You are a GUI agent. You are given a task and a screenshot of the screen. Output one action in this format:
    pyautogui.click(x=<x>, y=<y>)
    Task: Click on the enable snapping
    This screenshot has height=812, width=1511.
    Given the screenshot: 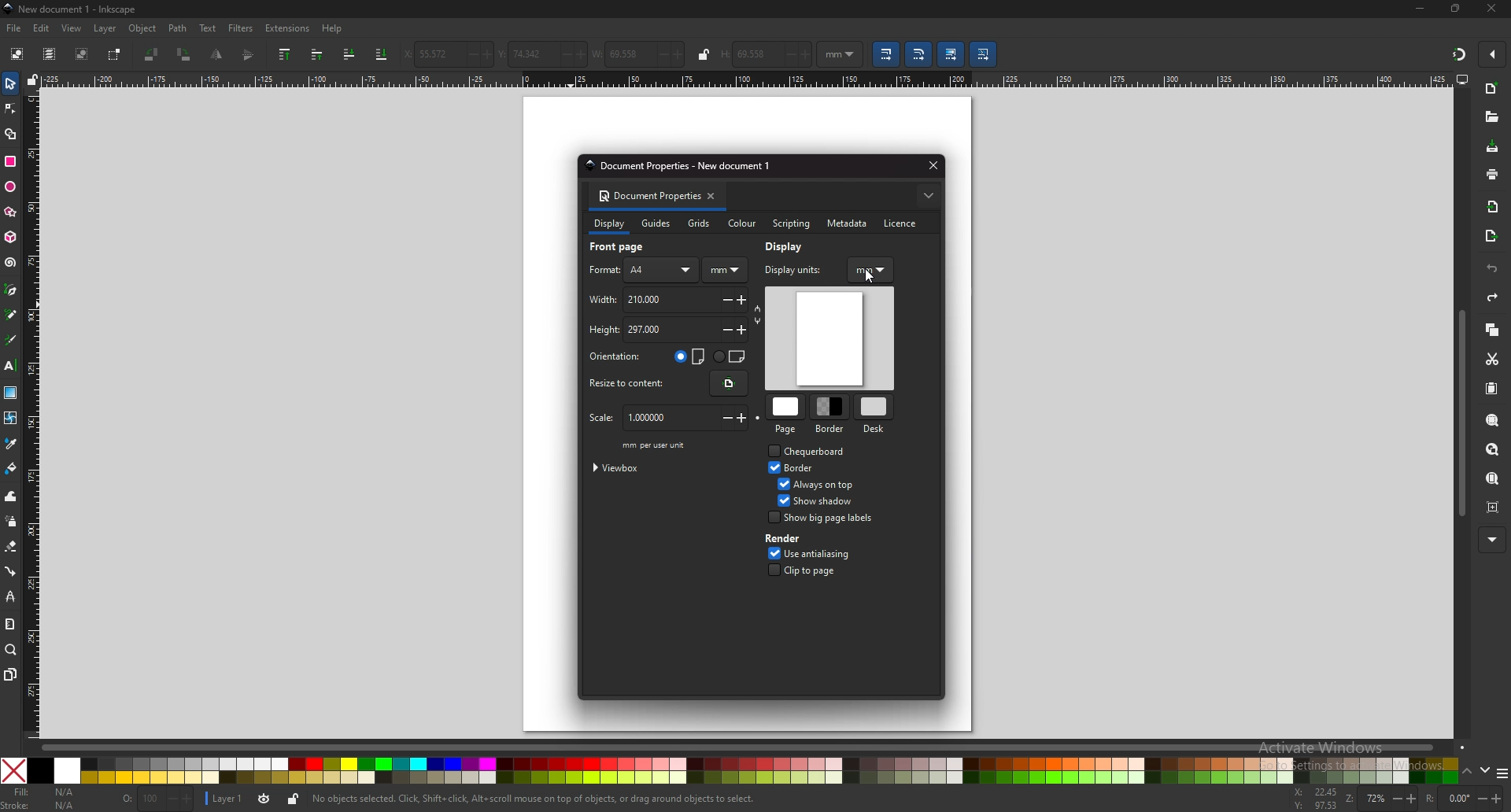 What is the action you would take?
    pyautogui.click(x=1489, y=54)
    